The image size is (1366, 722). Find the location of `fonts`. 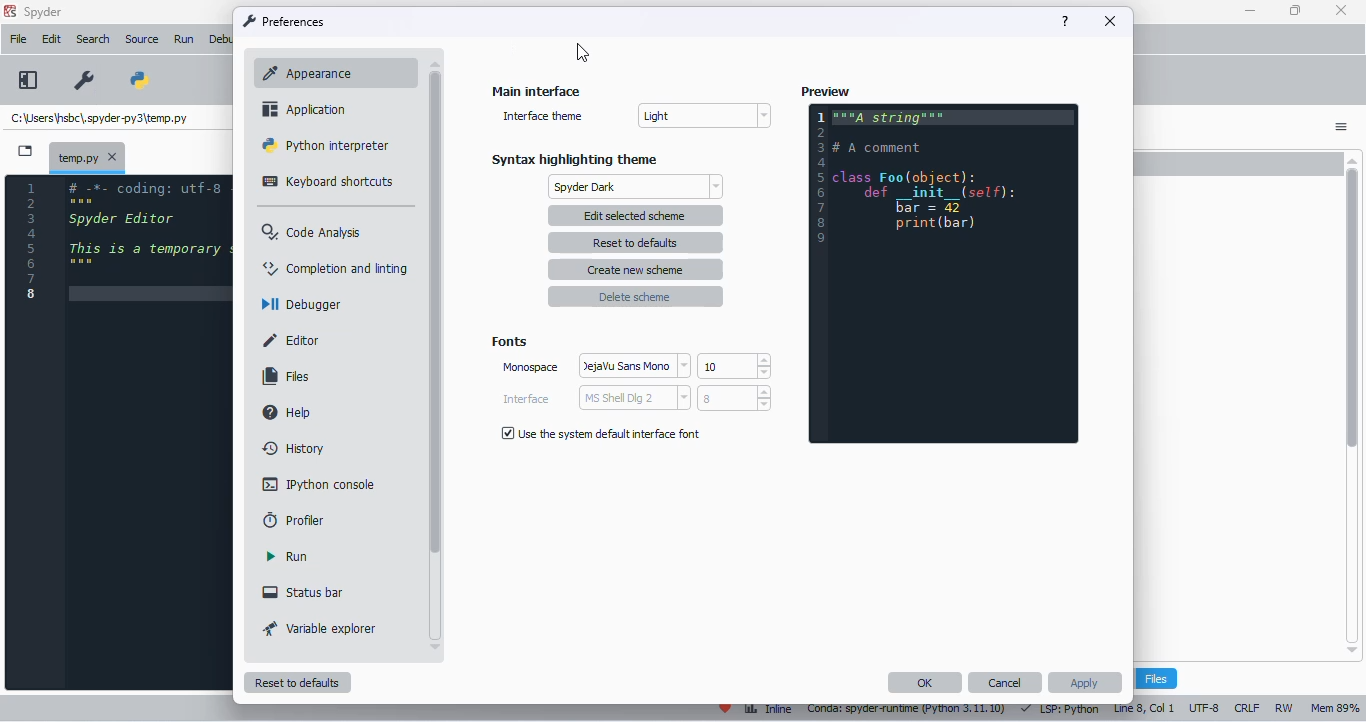

fonts is located at coordinates (509, 341).